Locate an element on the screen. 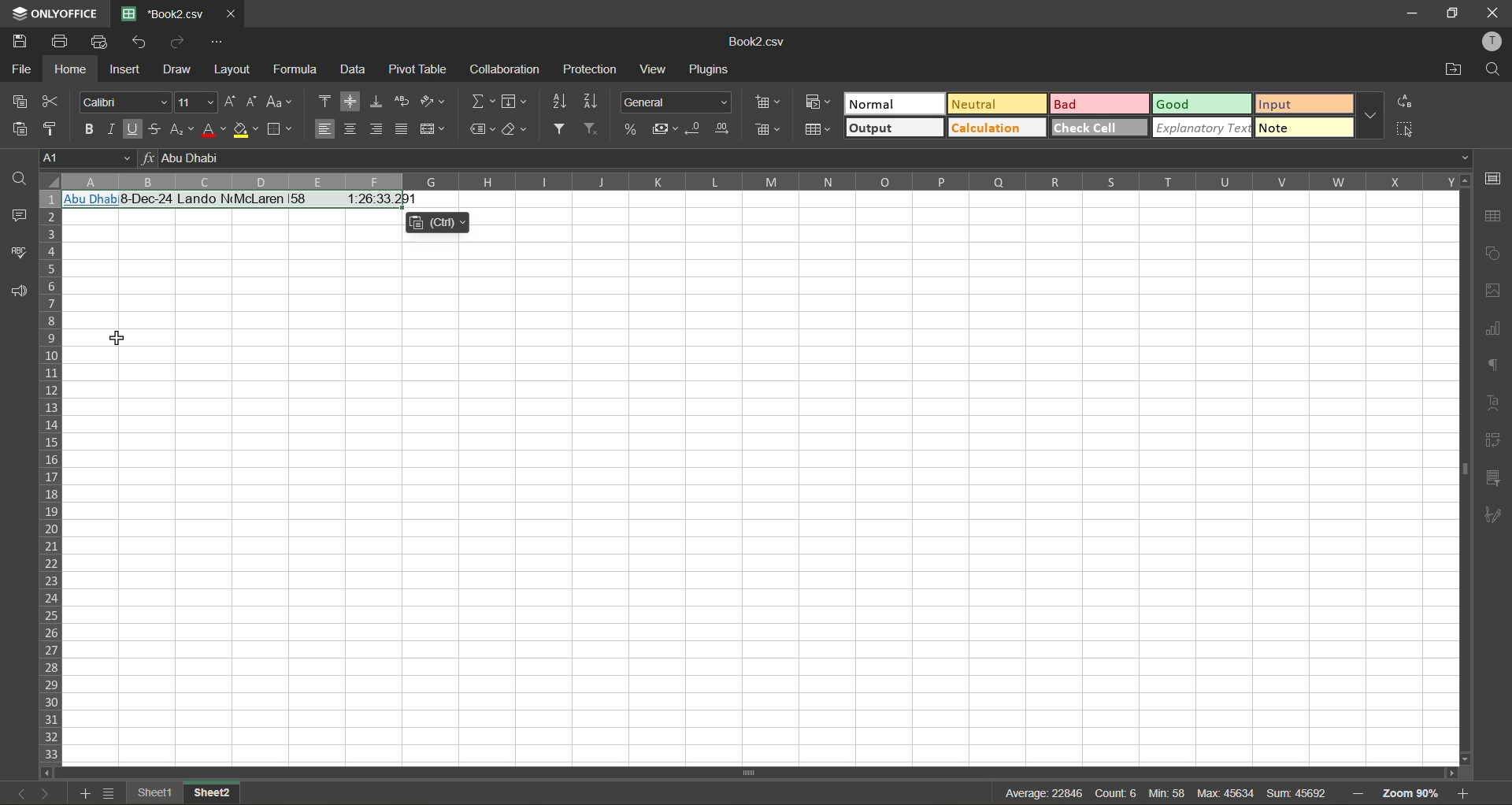 This screenshot has height=805, width=1512. paragraph is located at coordinates (1495, 369).